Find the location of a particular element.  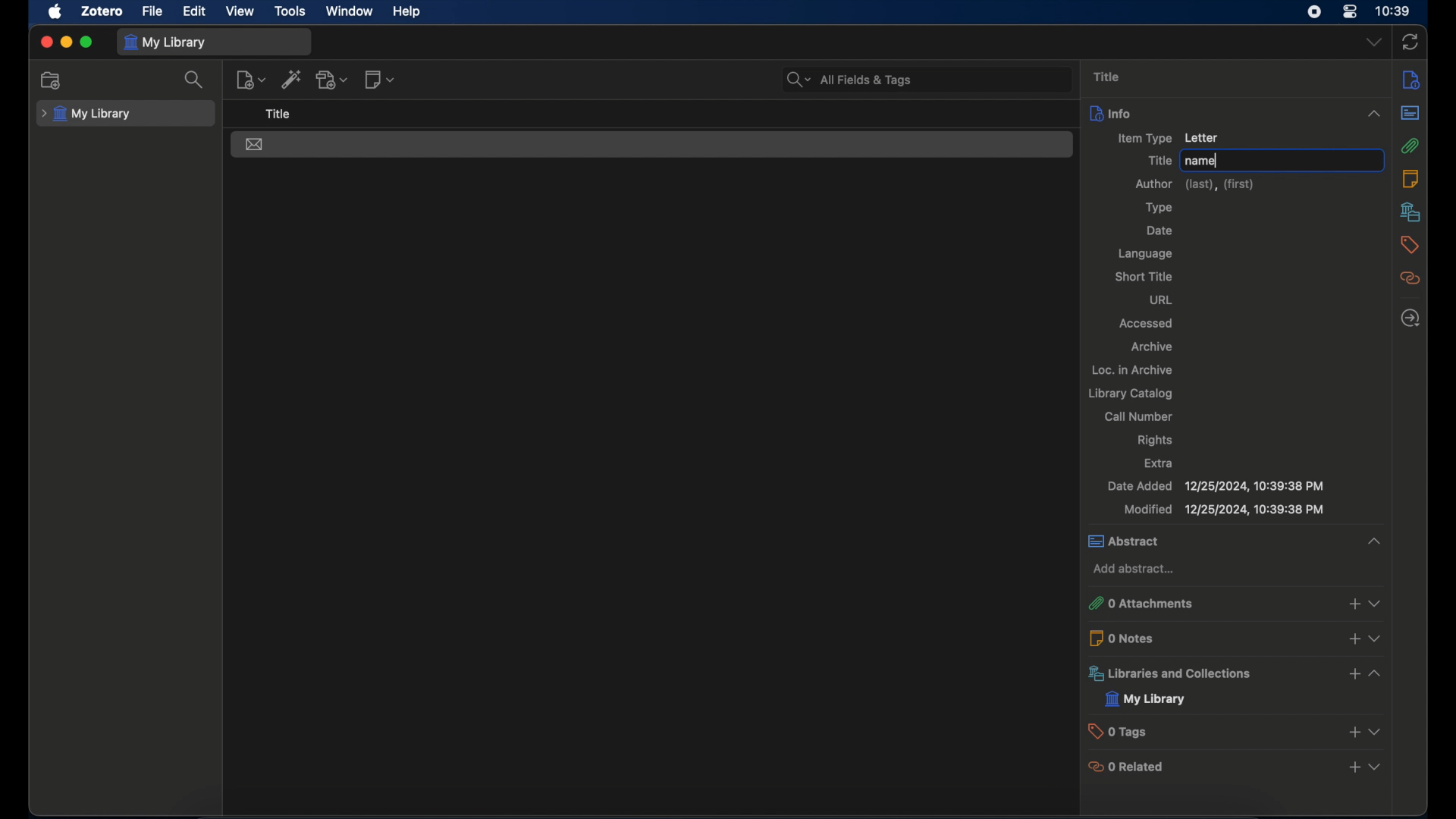

type is located at coordinates (1163, 208).